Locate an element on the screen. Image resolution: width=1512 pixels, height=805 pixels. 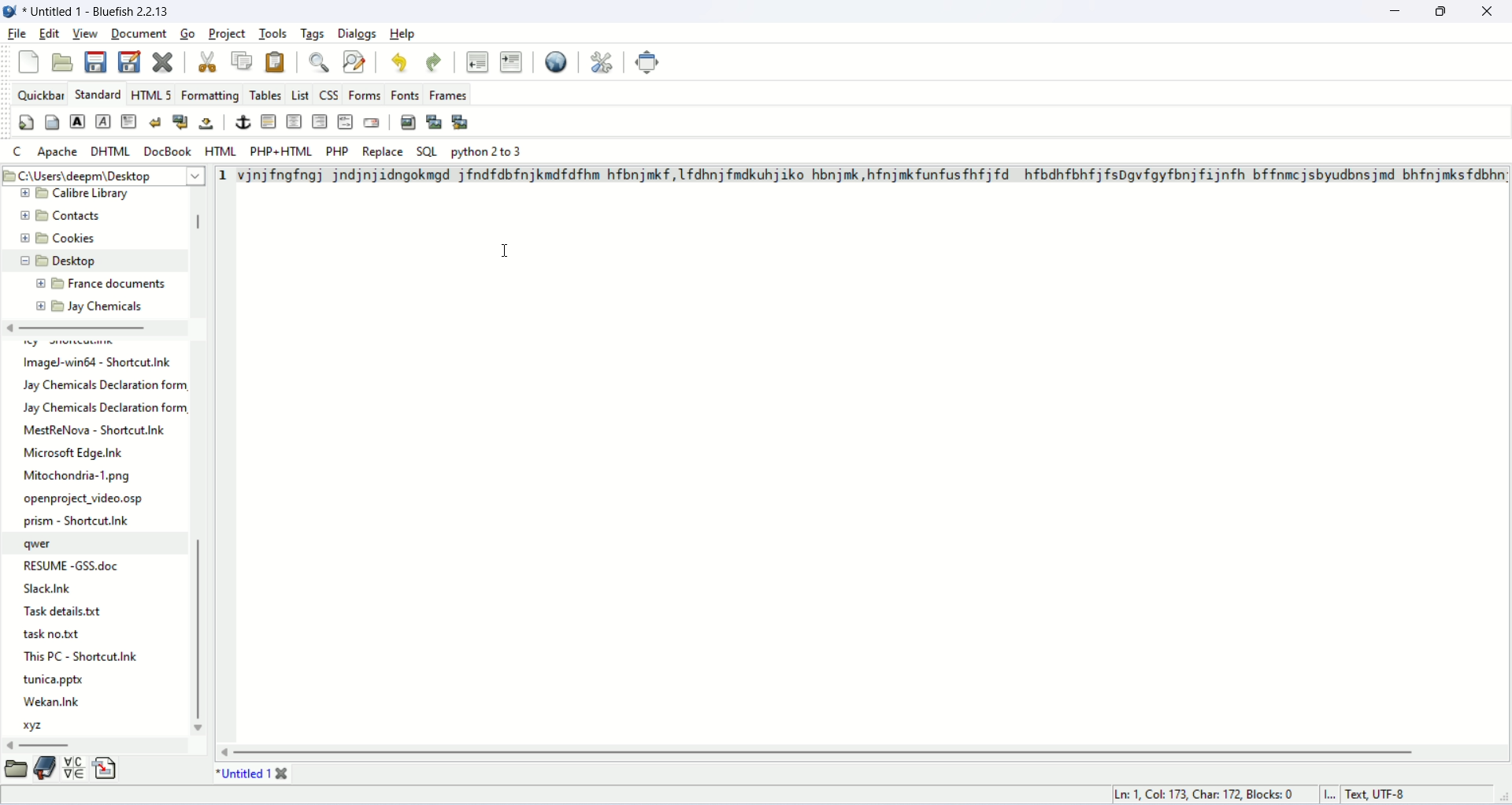
Task details.txt is located at coordinates (61, 610).